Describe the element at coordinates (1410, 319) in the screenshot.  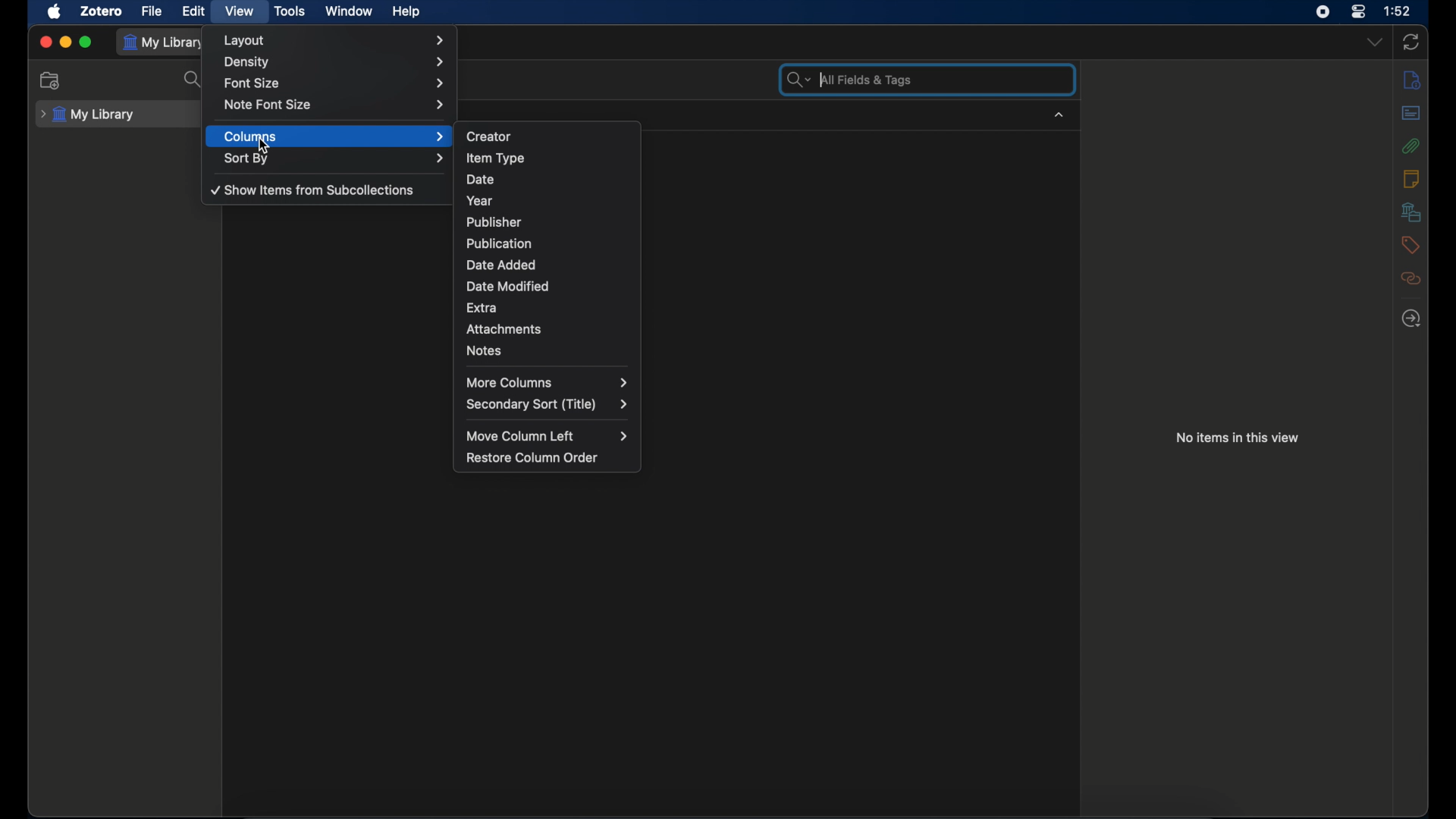
I see `locate` at that location.